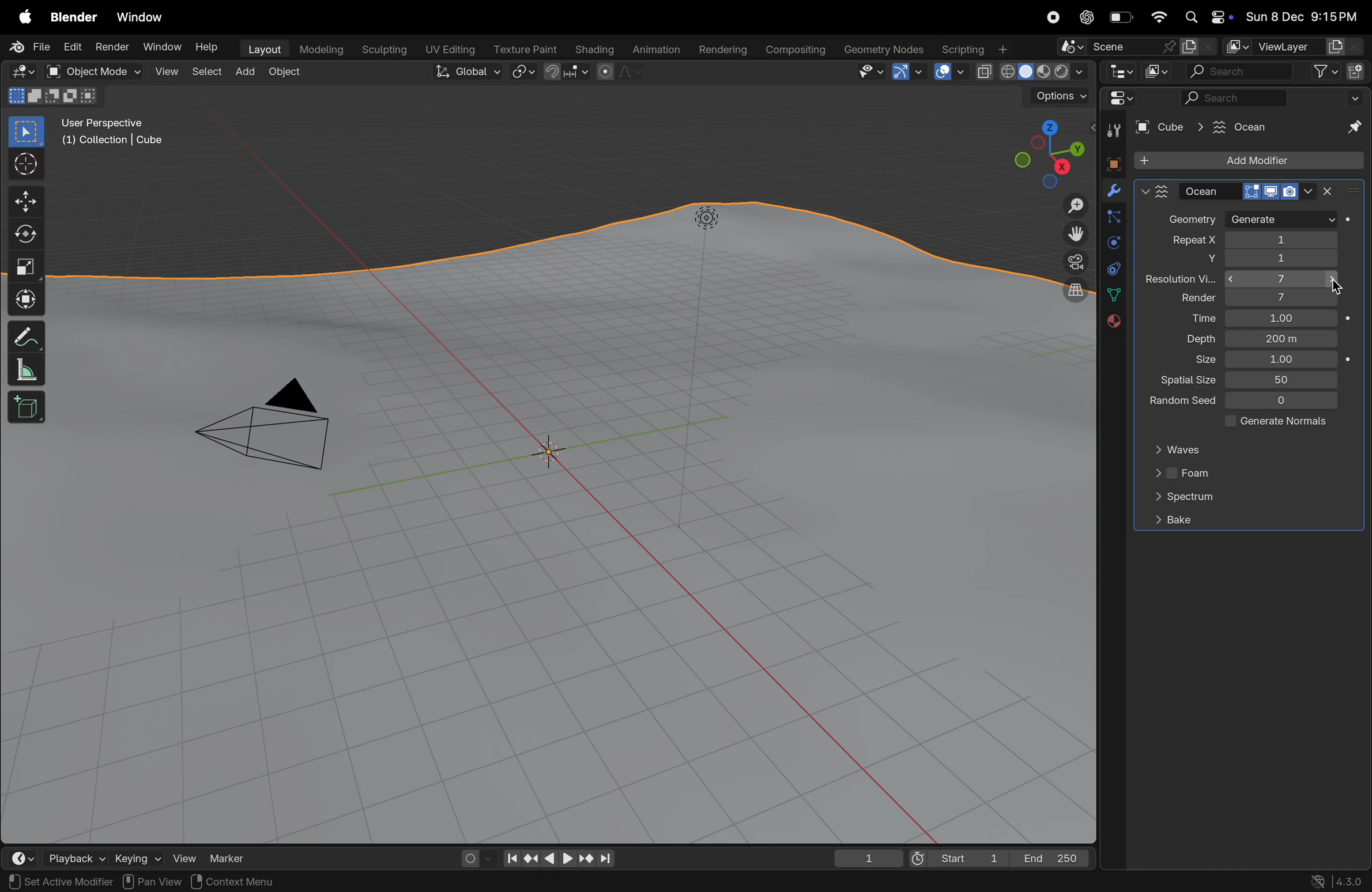  Describe the element at coordinates (556, 453) in the screenshot. I see `boject` at that location.